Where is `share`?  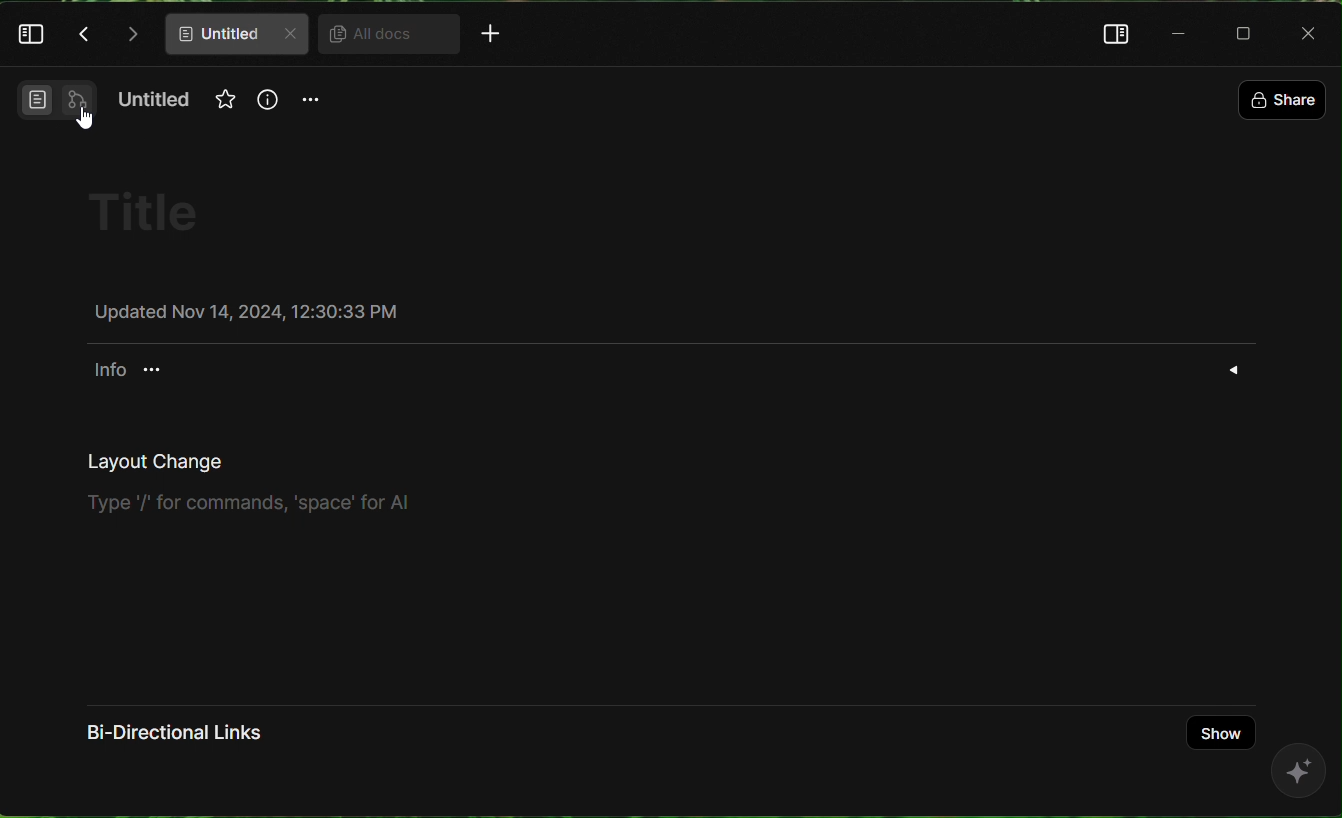
share is located at coordinates (1281, 98).